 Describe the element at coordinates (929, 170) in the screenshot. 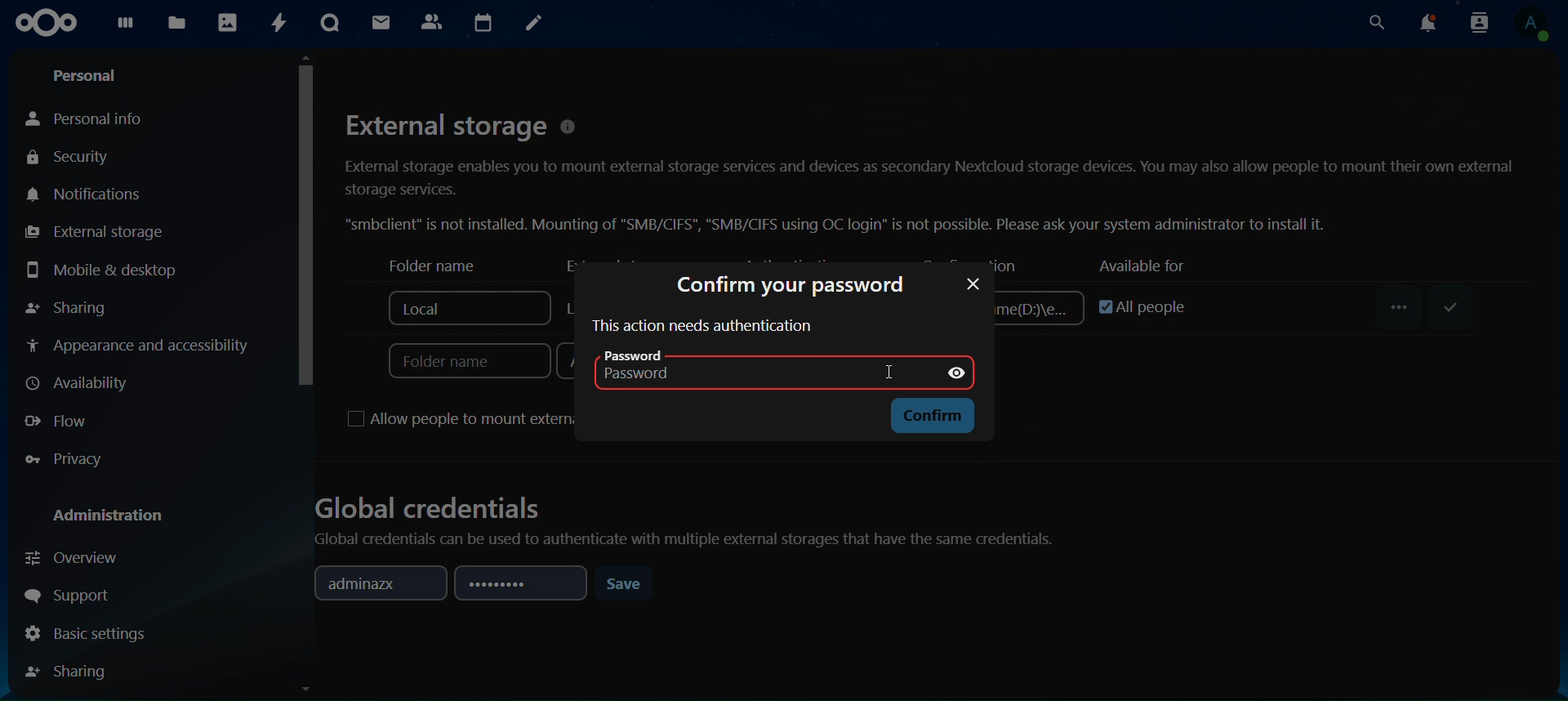

I see `External storage ©

External storage enables you to mount external storage services and devices as secondary Nextcloud storage devices. You may also allow people to mount their own external
storage services.

“smbclient” is not installed. Mounting of "SMB/CIFS", "SMB/CIFS using OC login” is not possible. Please ask your system administrator to install it.` at that location.